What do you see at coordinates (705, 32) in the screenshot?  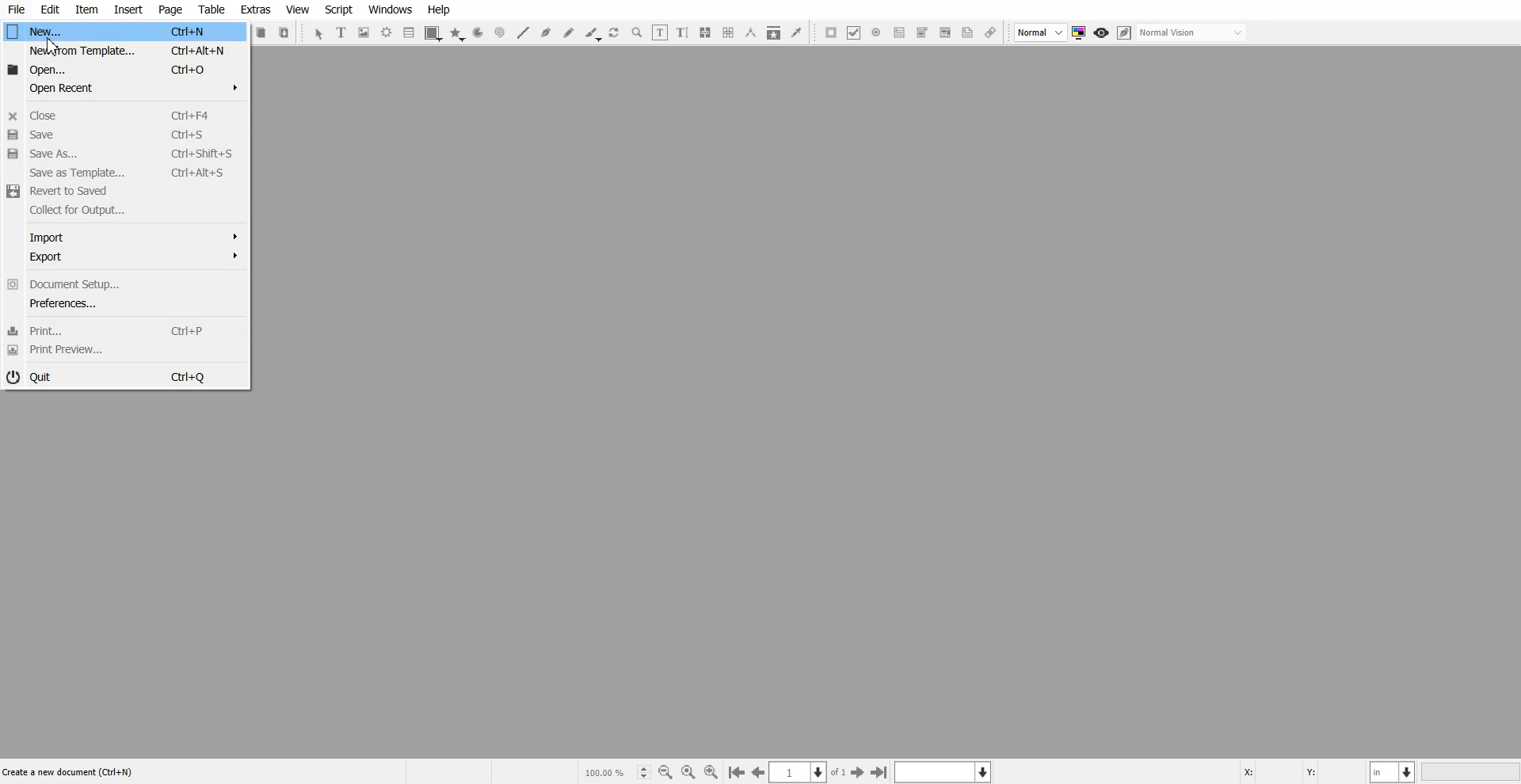 I see `Link Text Frame` at bounding box center [705, 32].